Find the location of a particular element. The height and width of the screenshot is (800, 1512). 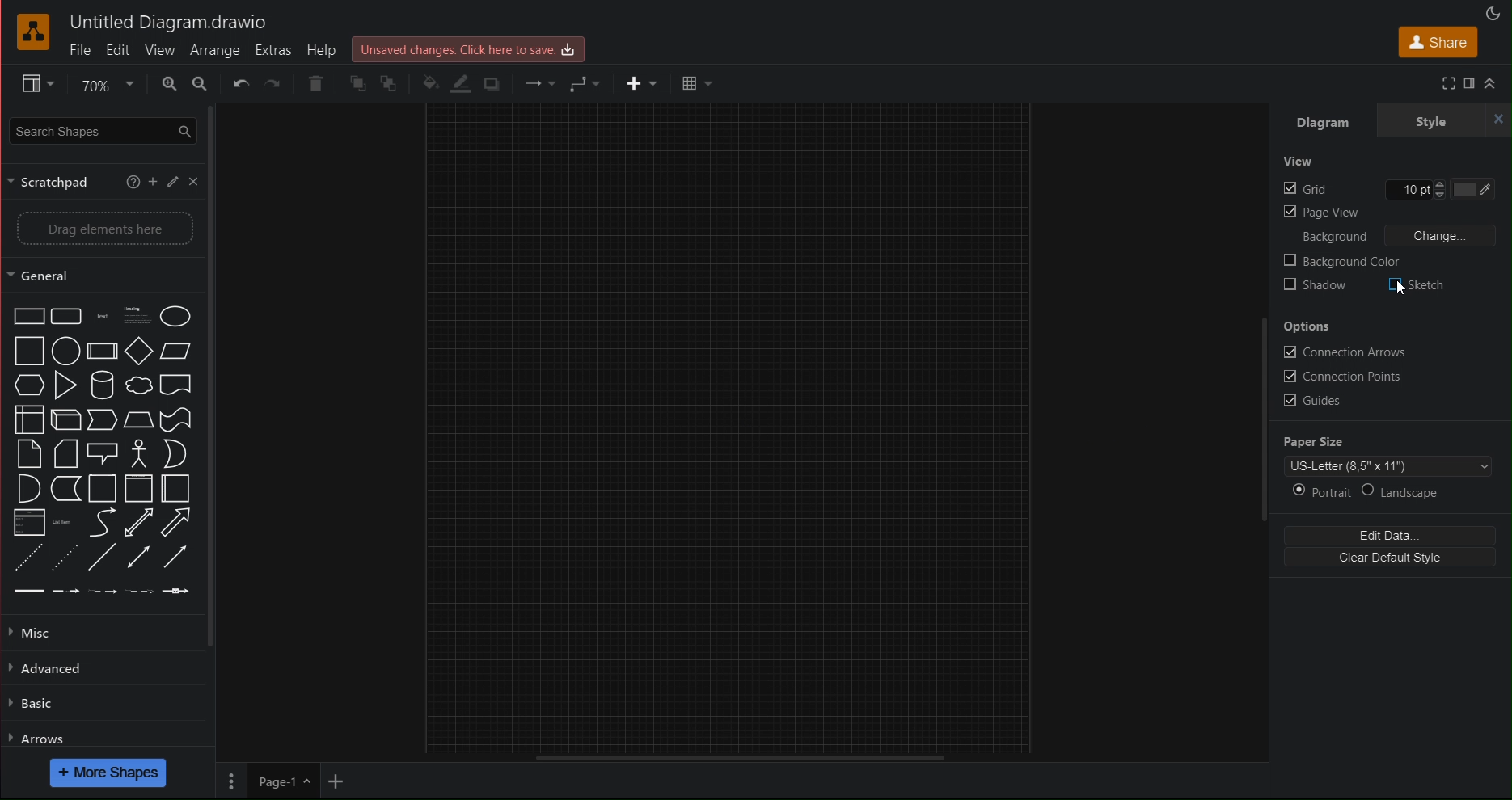

Arrange is located at coordinates (215, 51).